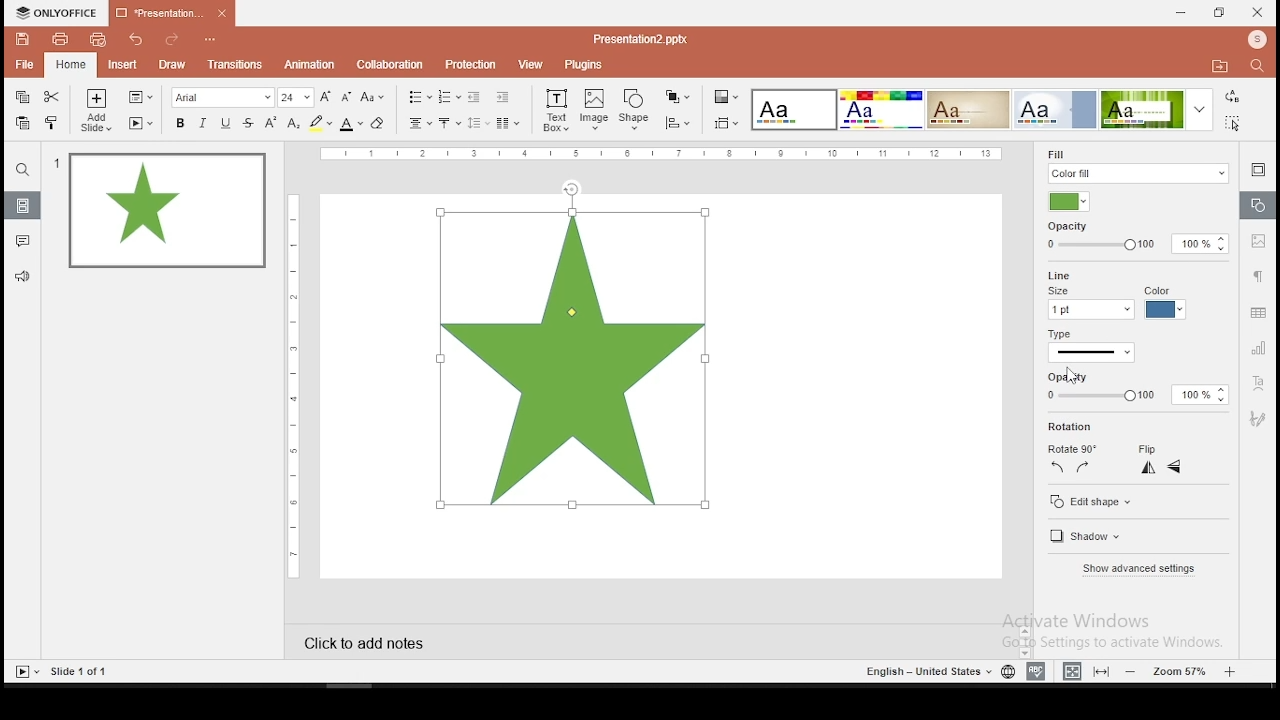 This screenshot has width=1280, height=720. What do you see at coordinates (141, 123) in the screenshot?
I see `start slideshow` at bounding box center [141, 123].